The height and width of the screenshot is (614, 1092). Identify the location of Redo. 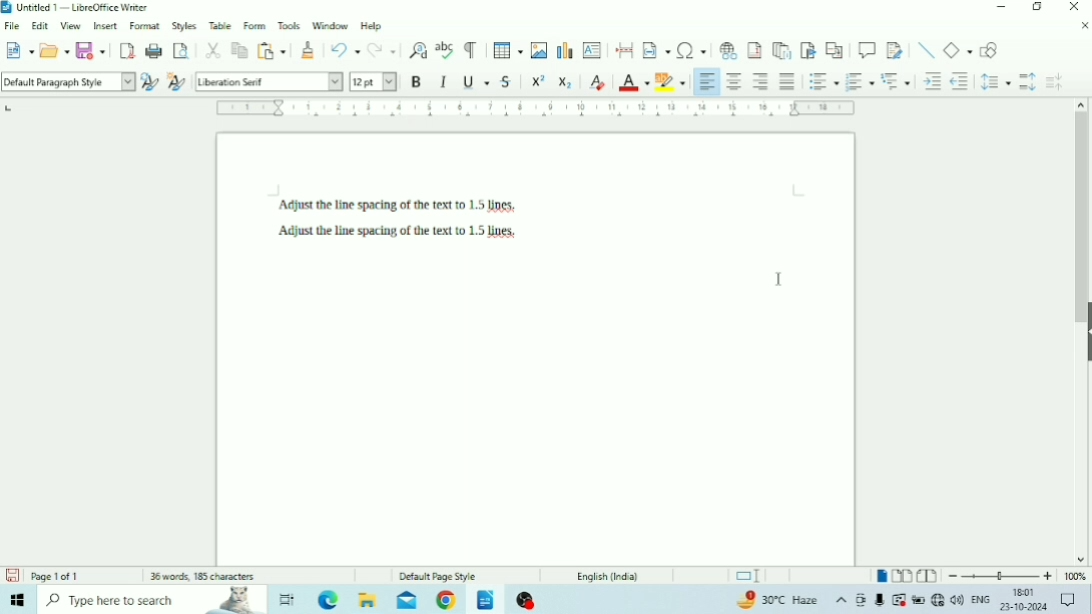
(382, 50).